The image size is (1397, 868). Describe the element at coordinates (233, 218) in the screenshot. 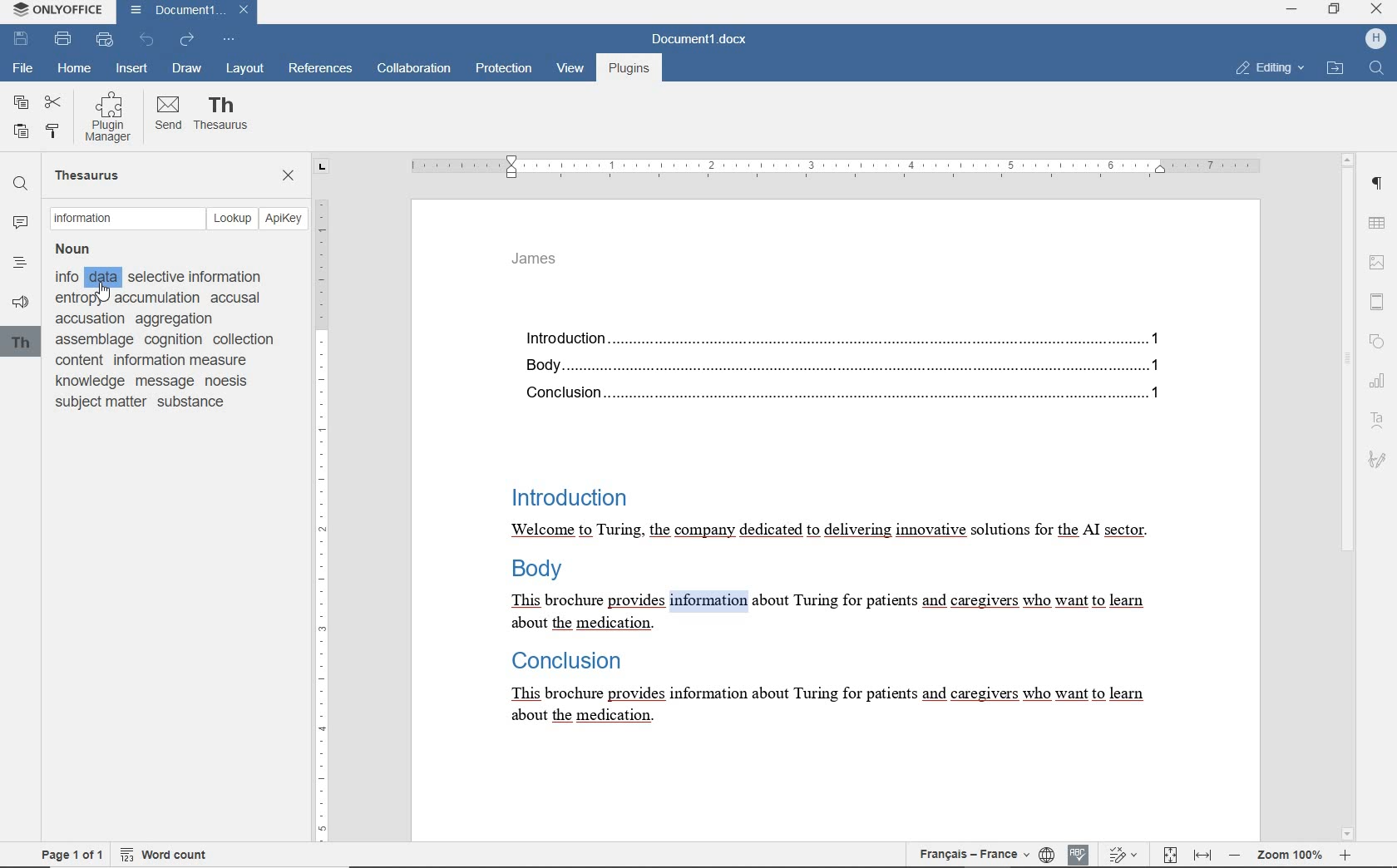

I see `LOOKUP` at that location.